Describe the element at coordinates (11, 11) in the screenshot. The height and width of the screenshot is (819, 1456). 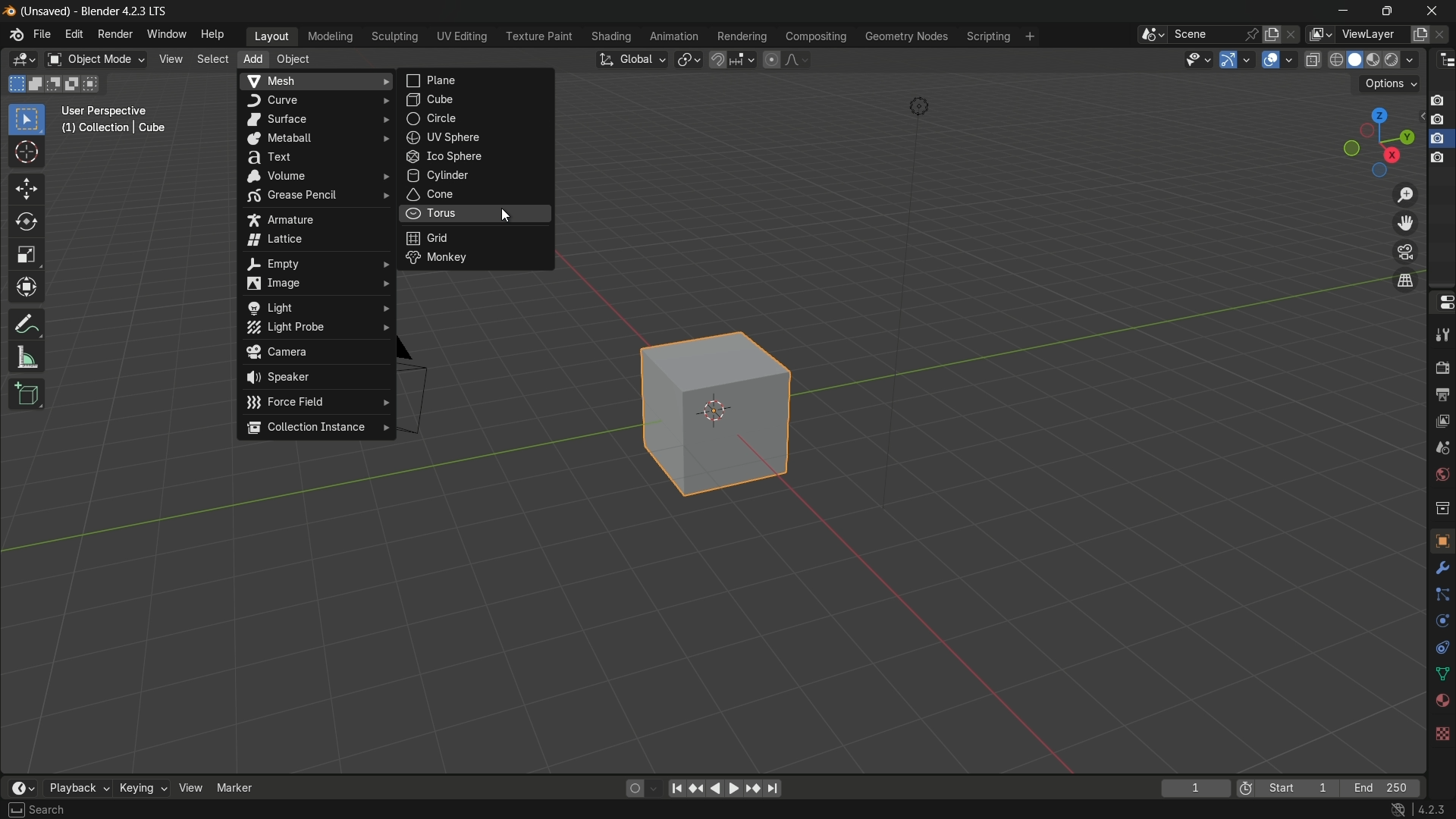
I see `logo` at that location.